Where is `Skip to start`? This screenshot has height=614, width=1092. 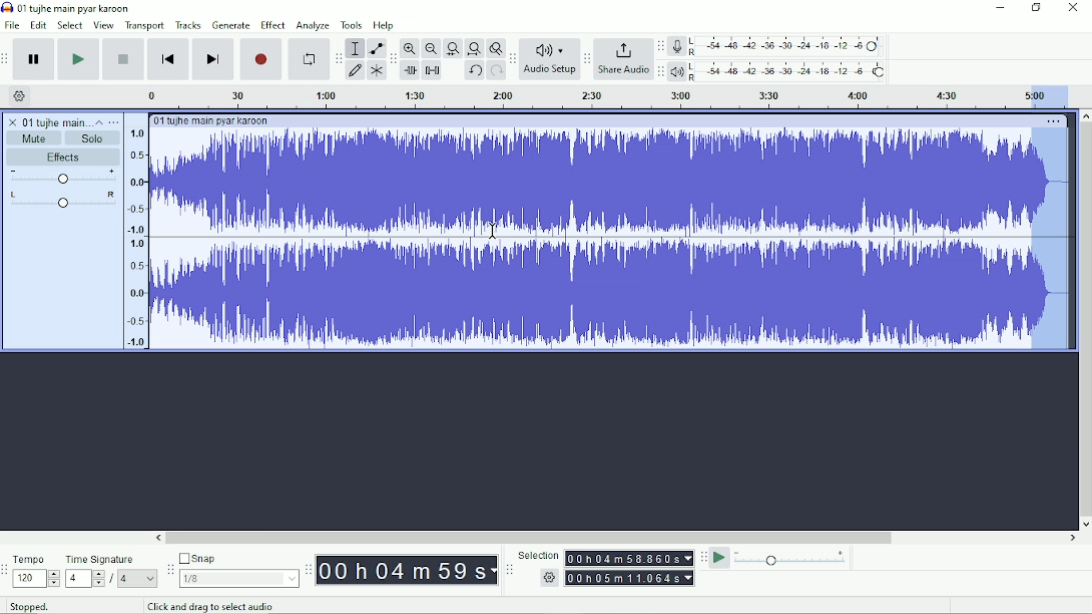 Skip to start is located at coordinates (168, 60).